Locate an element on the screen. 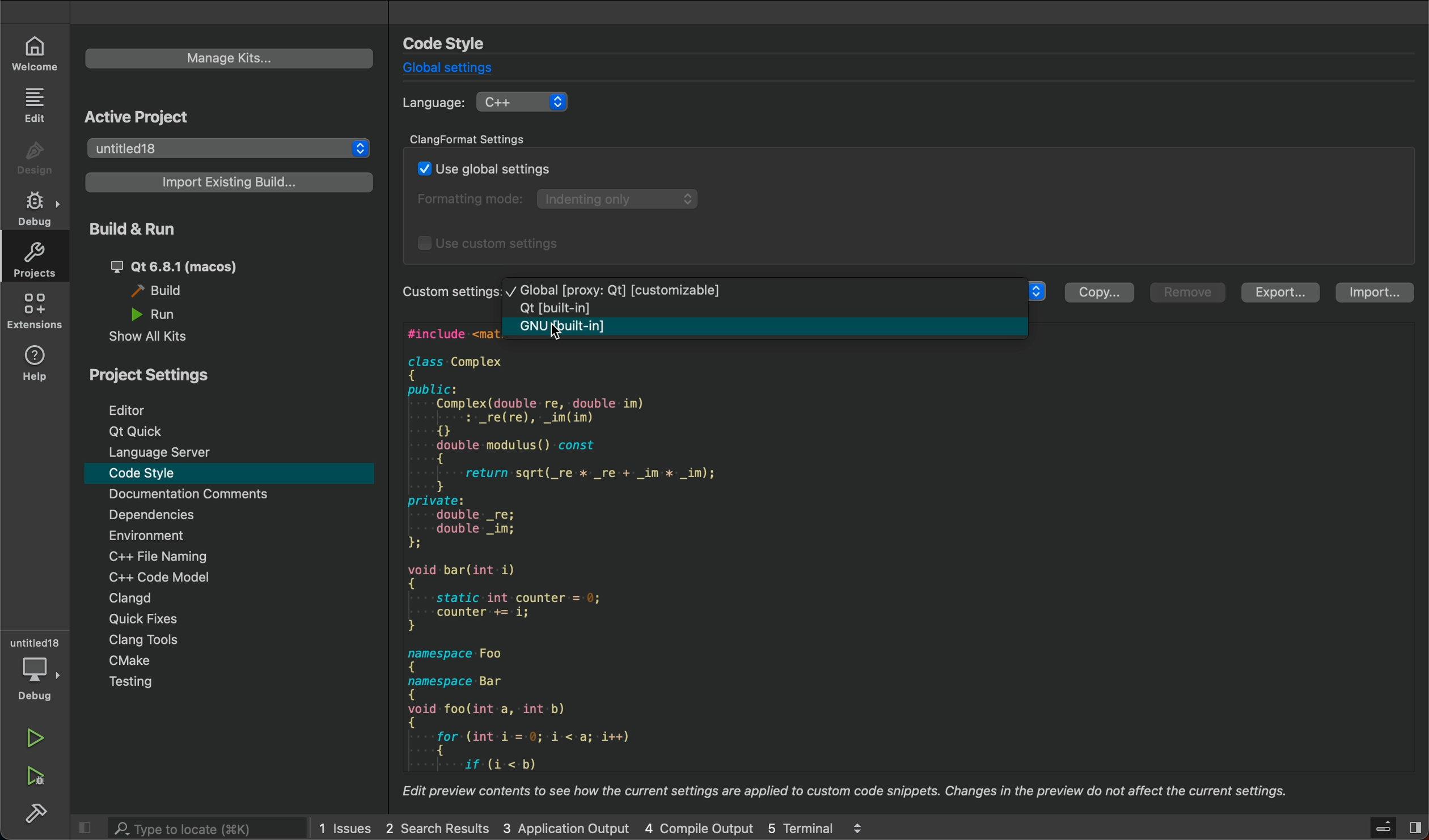 Image resolution: width=1429 pixels, height=840 pixels. Dependencies  is located at coordinates (179, 515).